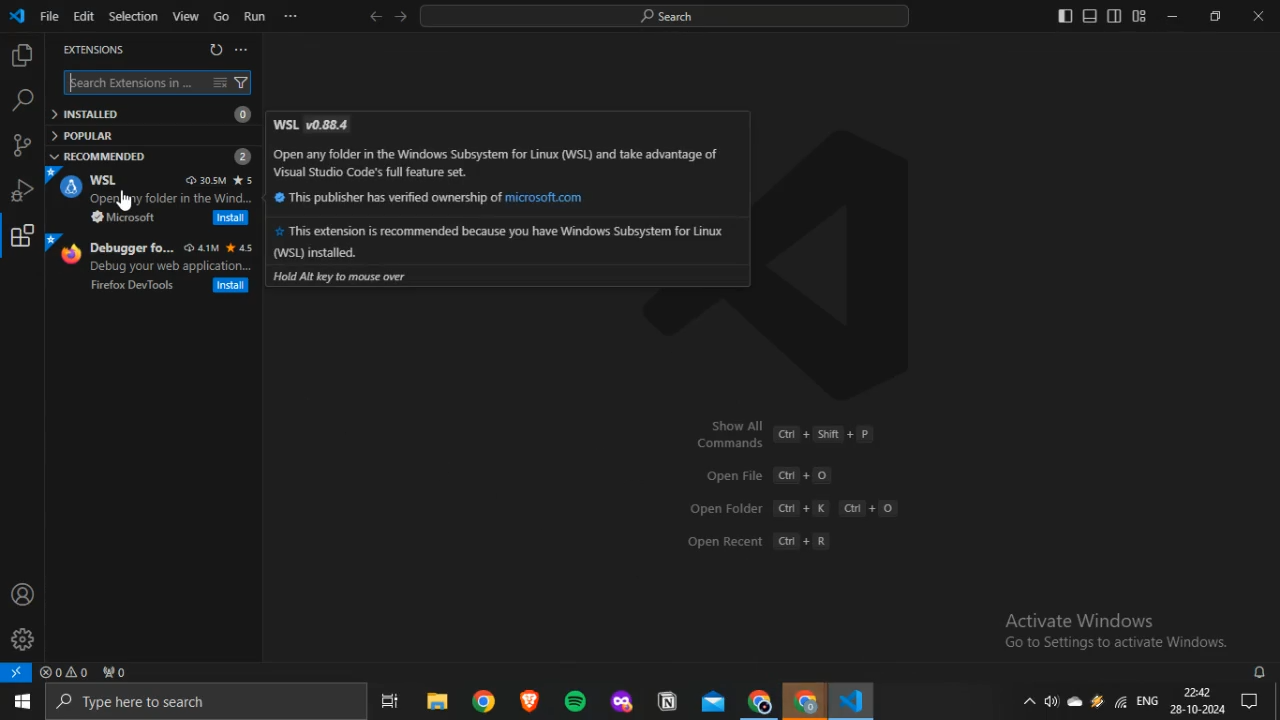 The image size is (1280, 720). I want to click on start, so click(21, 702).